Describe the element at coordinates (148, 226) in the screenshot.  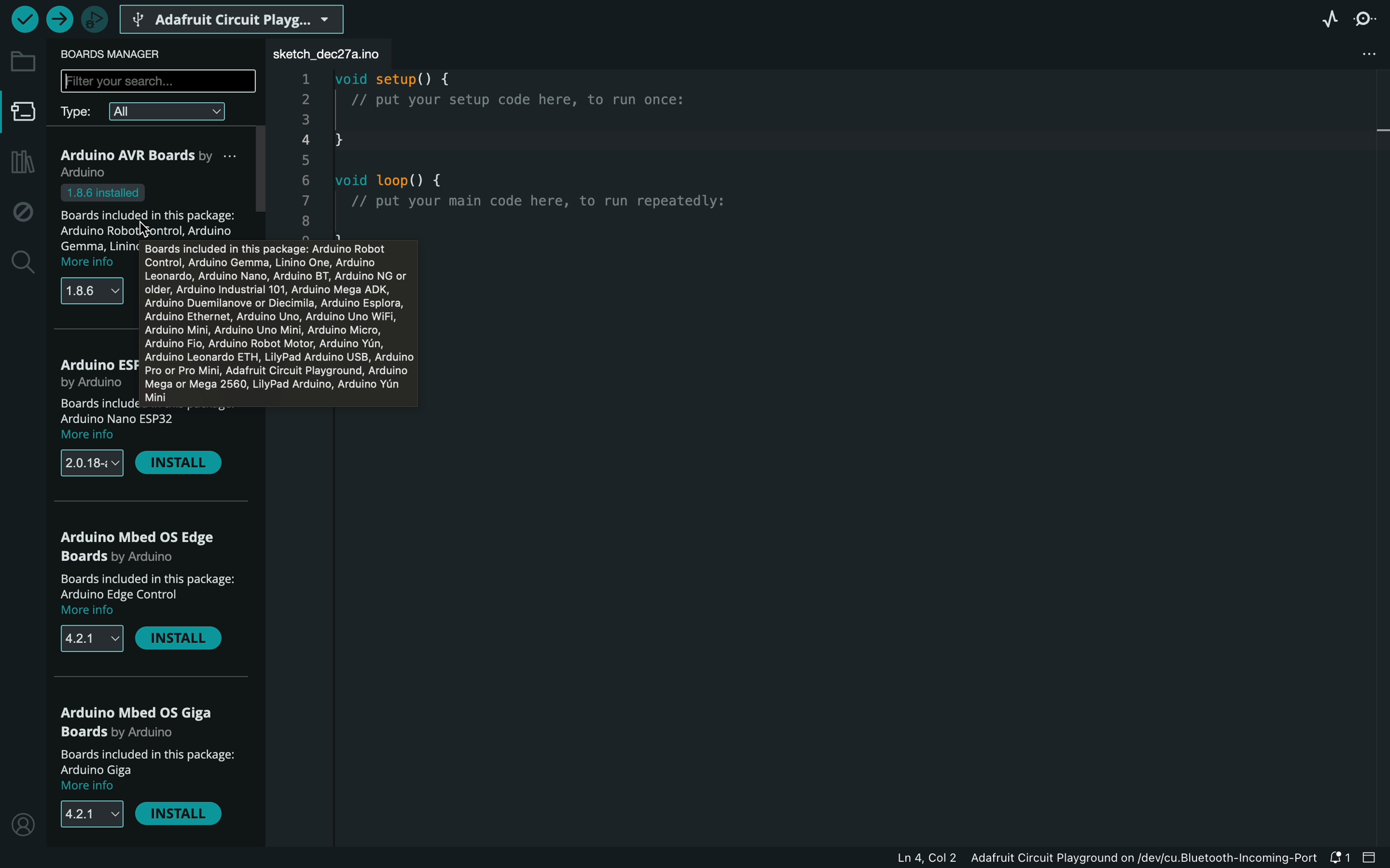
I see `cursor` at that location.